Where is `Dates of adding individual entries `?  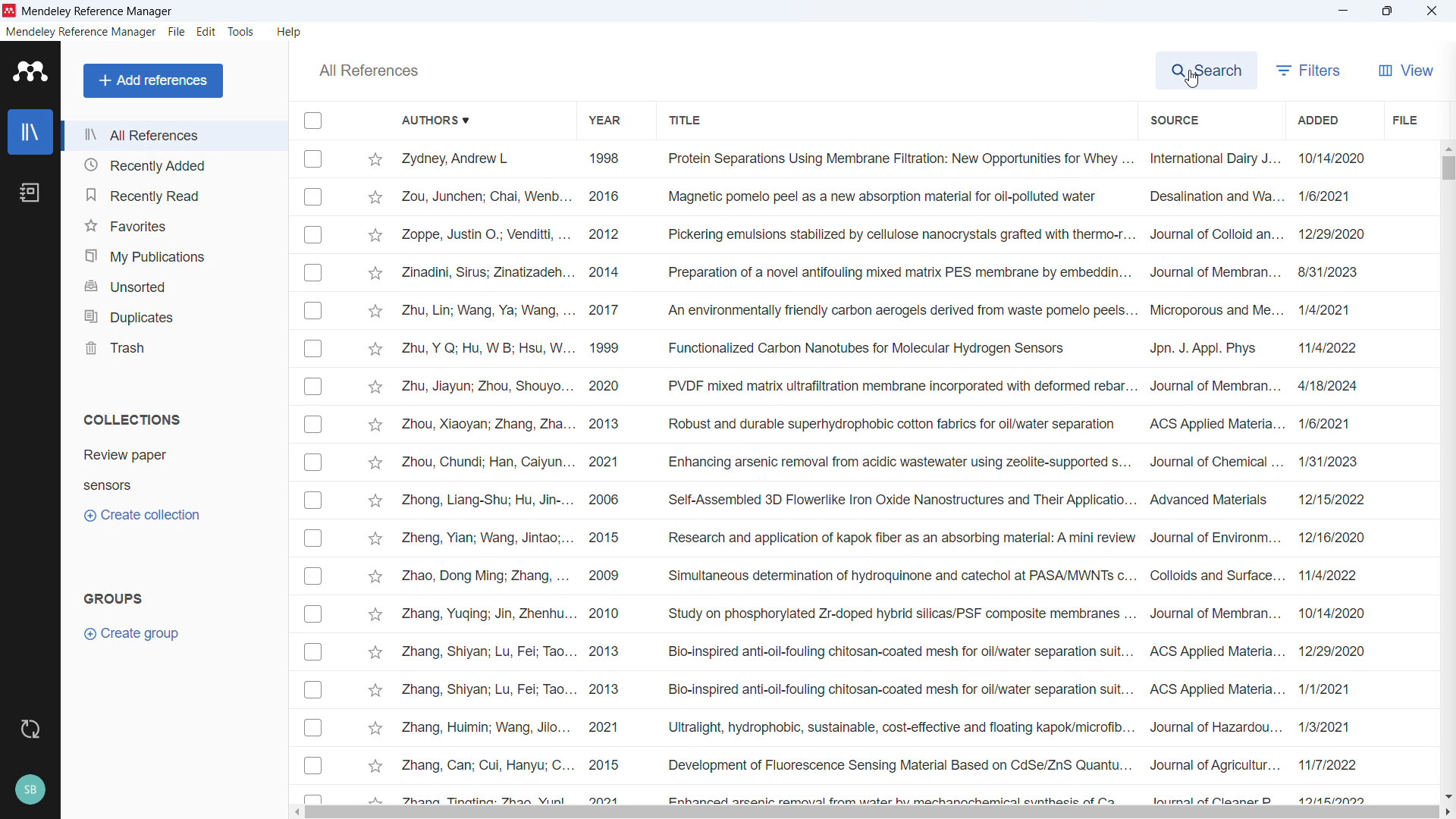 Dates of adding individual entries  is located at coordinates (1336, 475).